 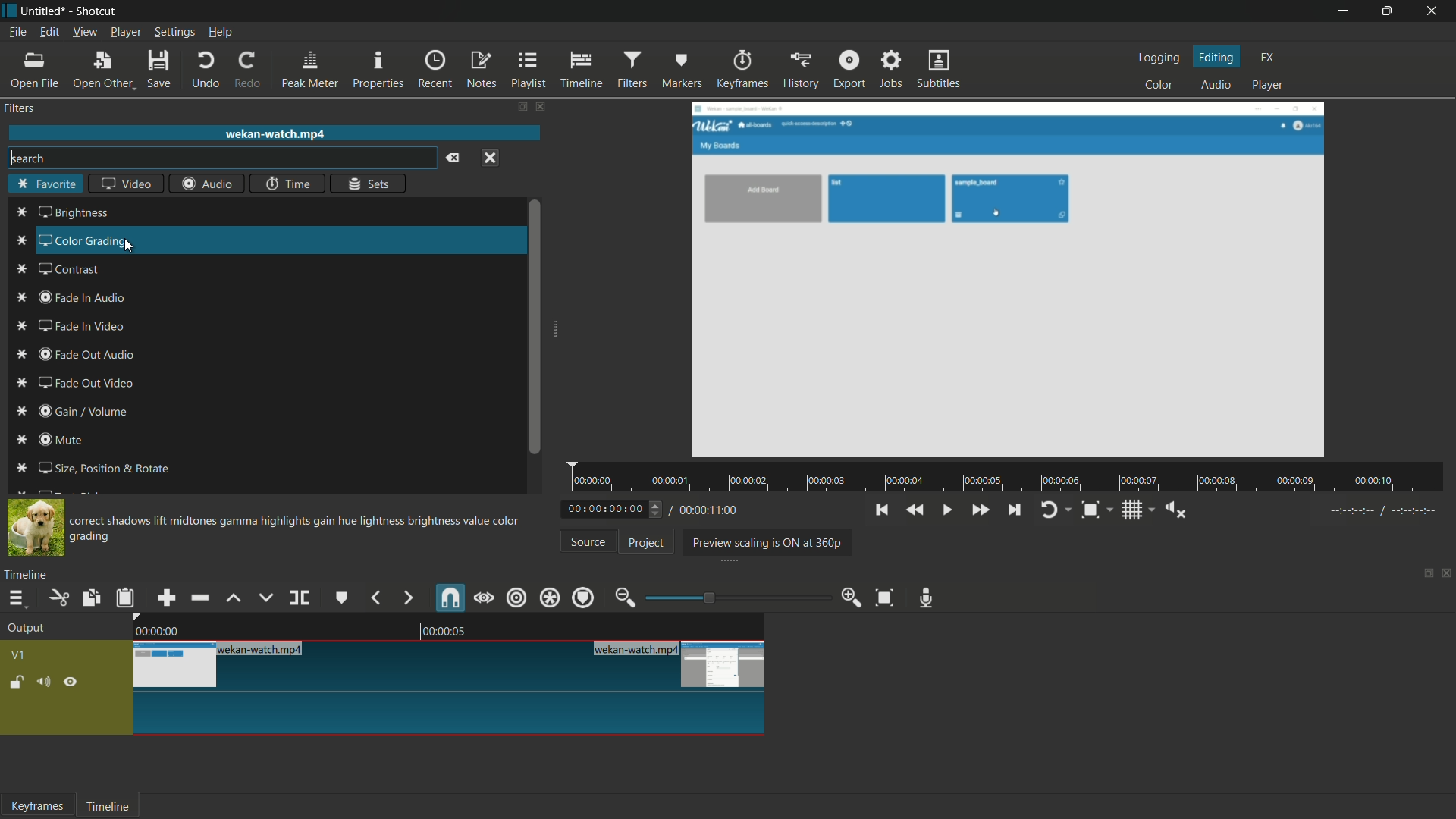 I want to click on scrub while dragging, so click(x=483, y=598).